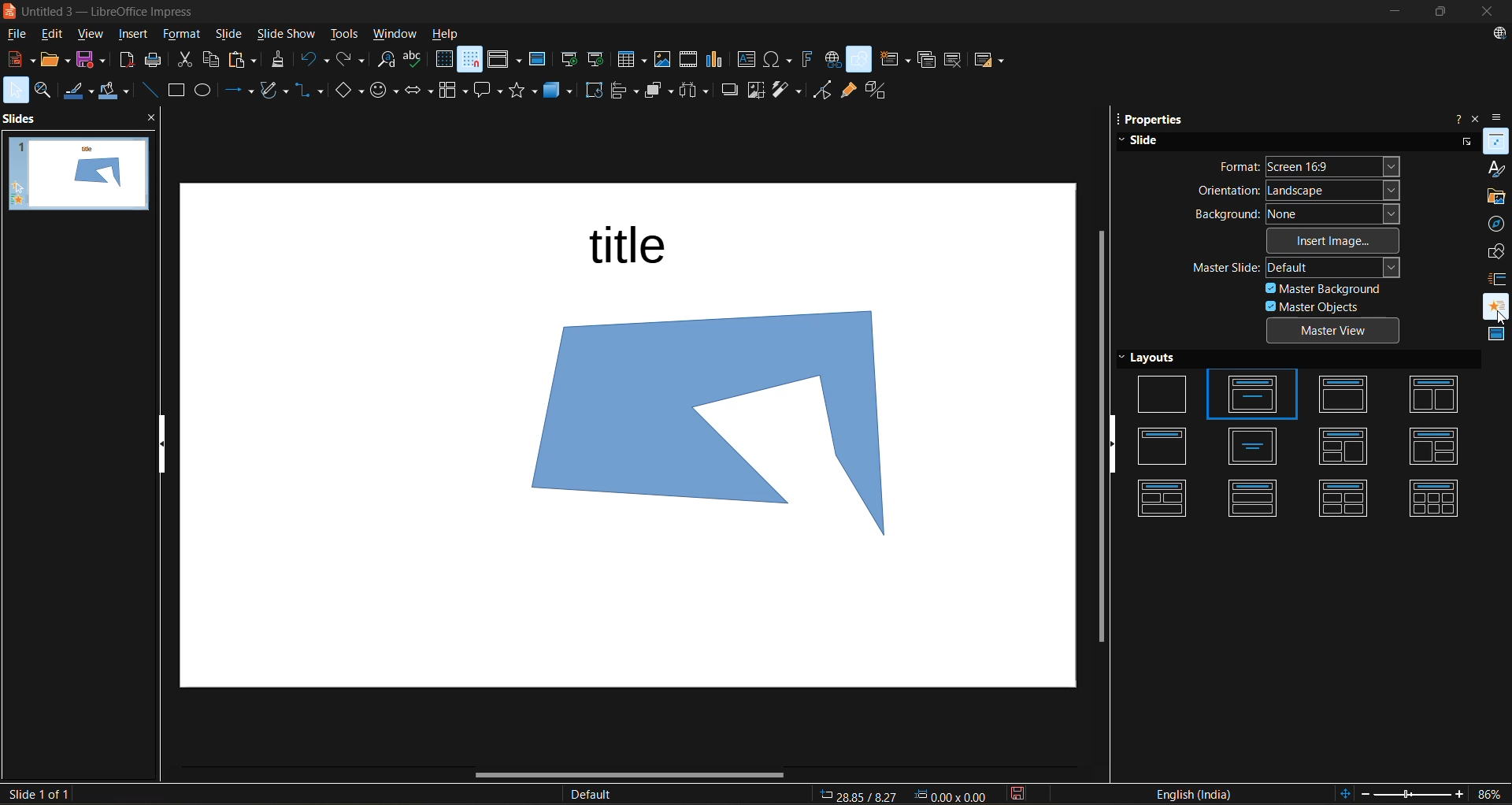 The image size is (1512, 805). What do you see at coordinates (19, 59) in the screenshot?
I see `new` at bounding box center [19, 59].